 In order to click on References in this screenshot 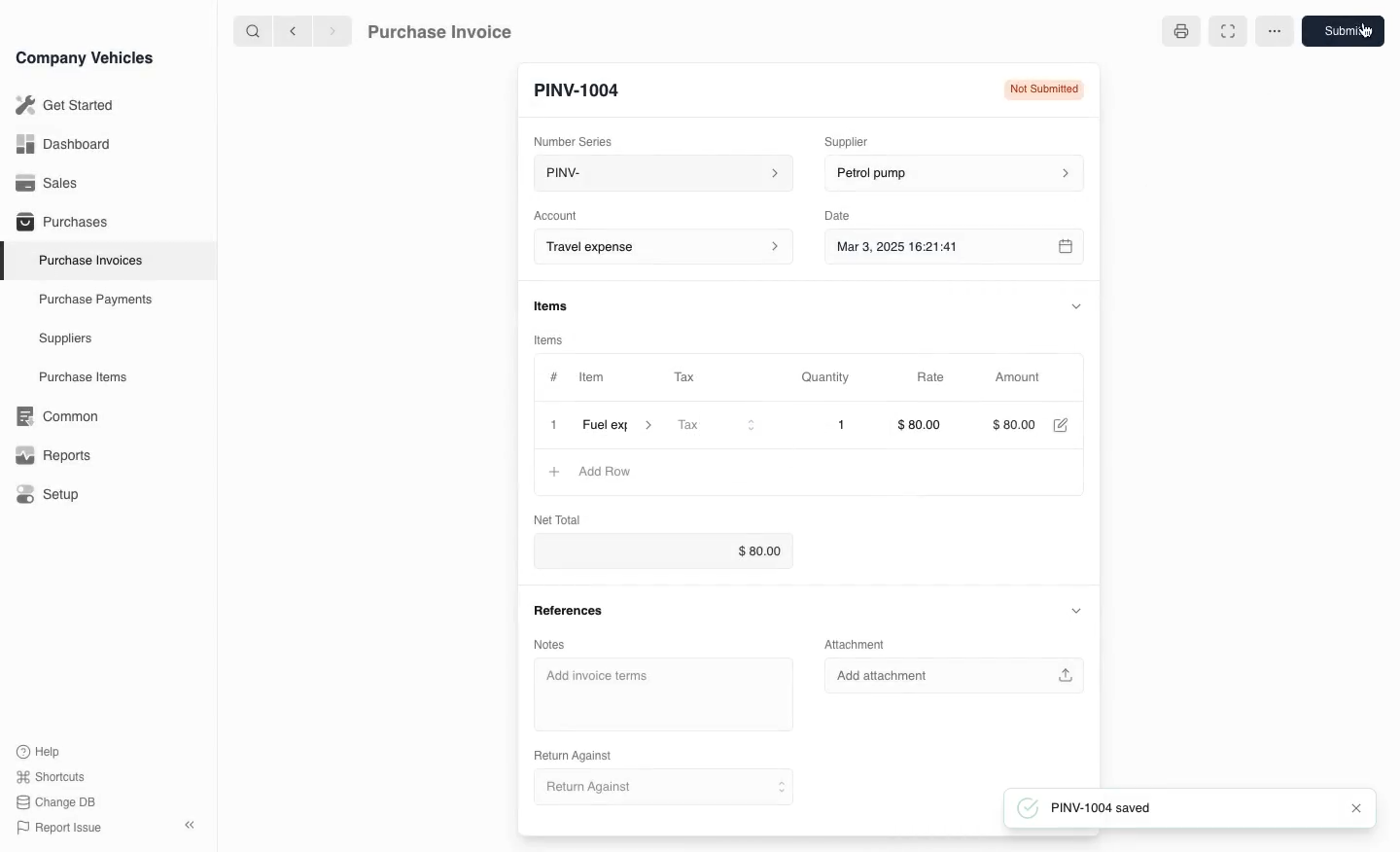, I will do `click(571, 610)`.